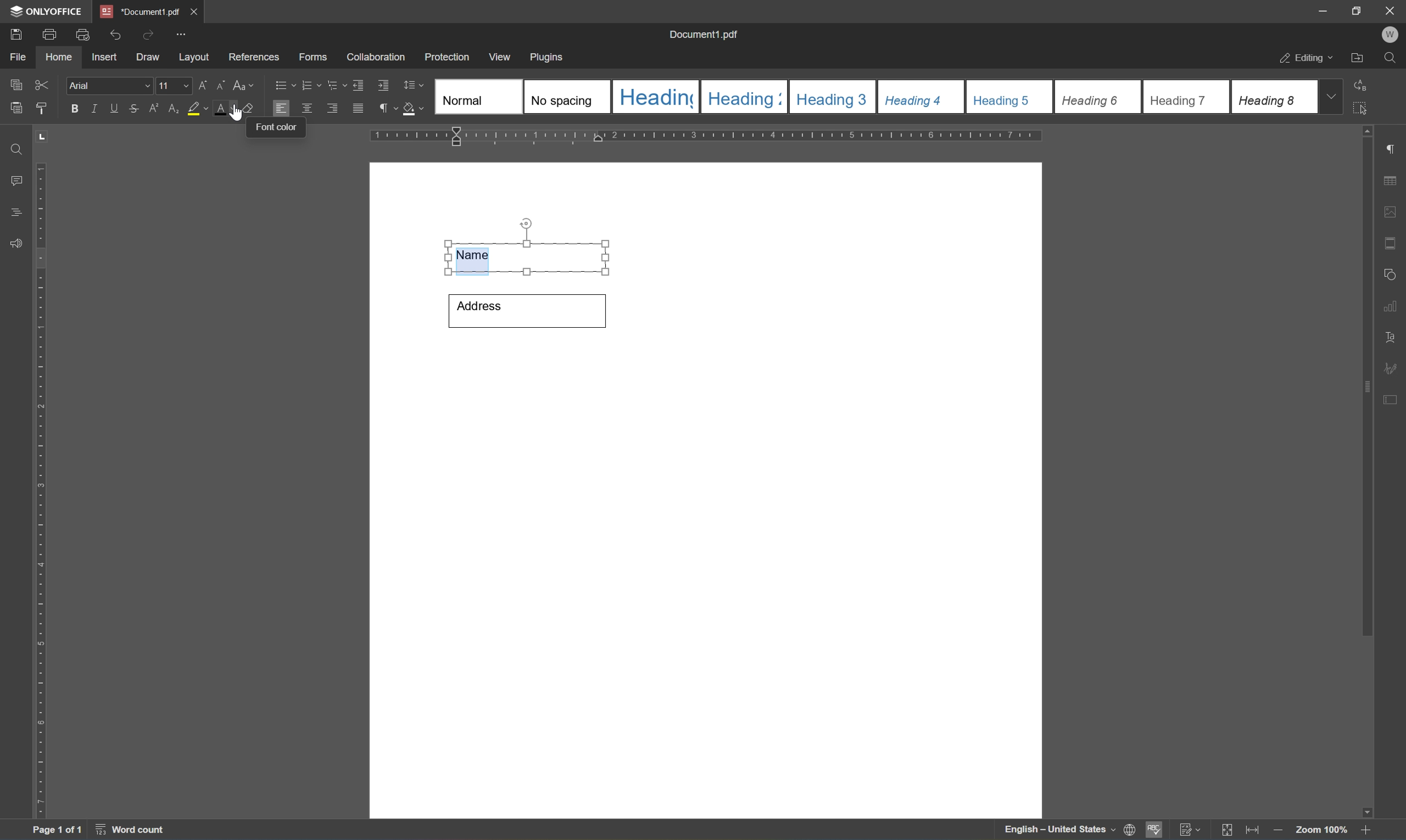  I want to click on font, so click(110, 86).